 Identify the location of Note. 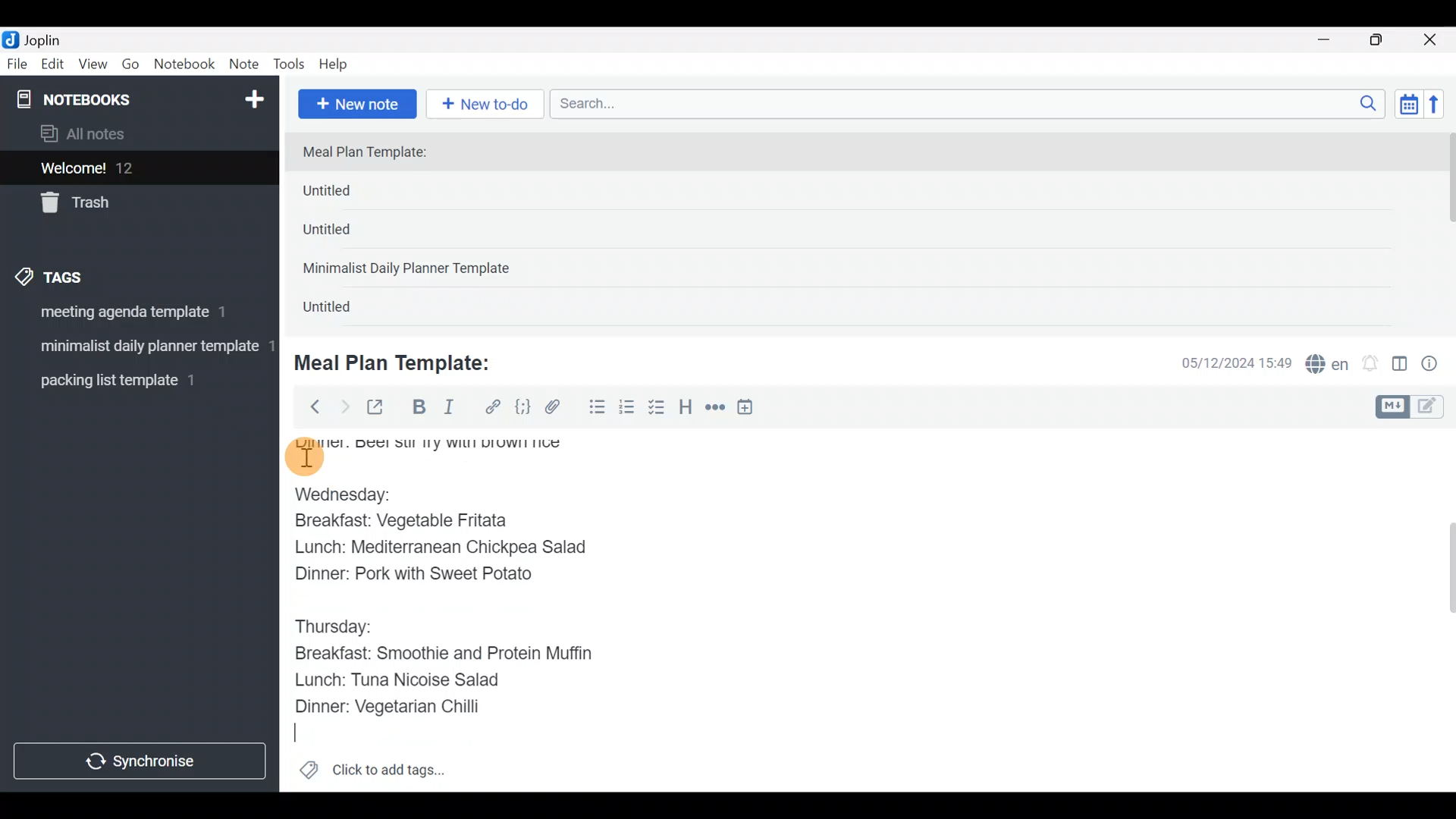
(247, 65).